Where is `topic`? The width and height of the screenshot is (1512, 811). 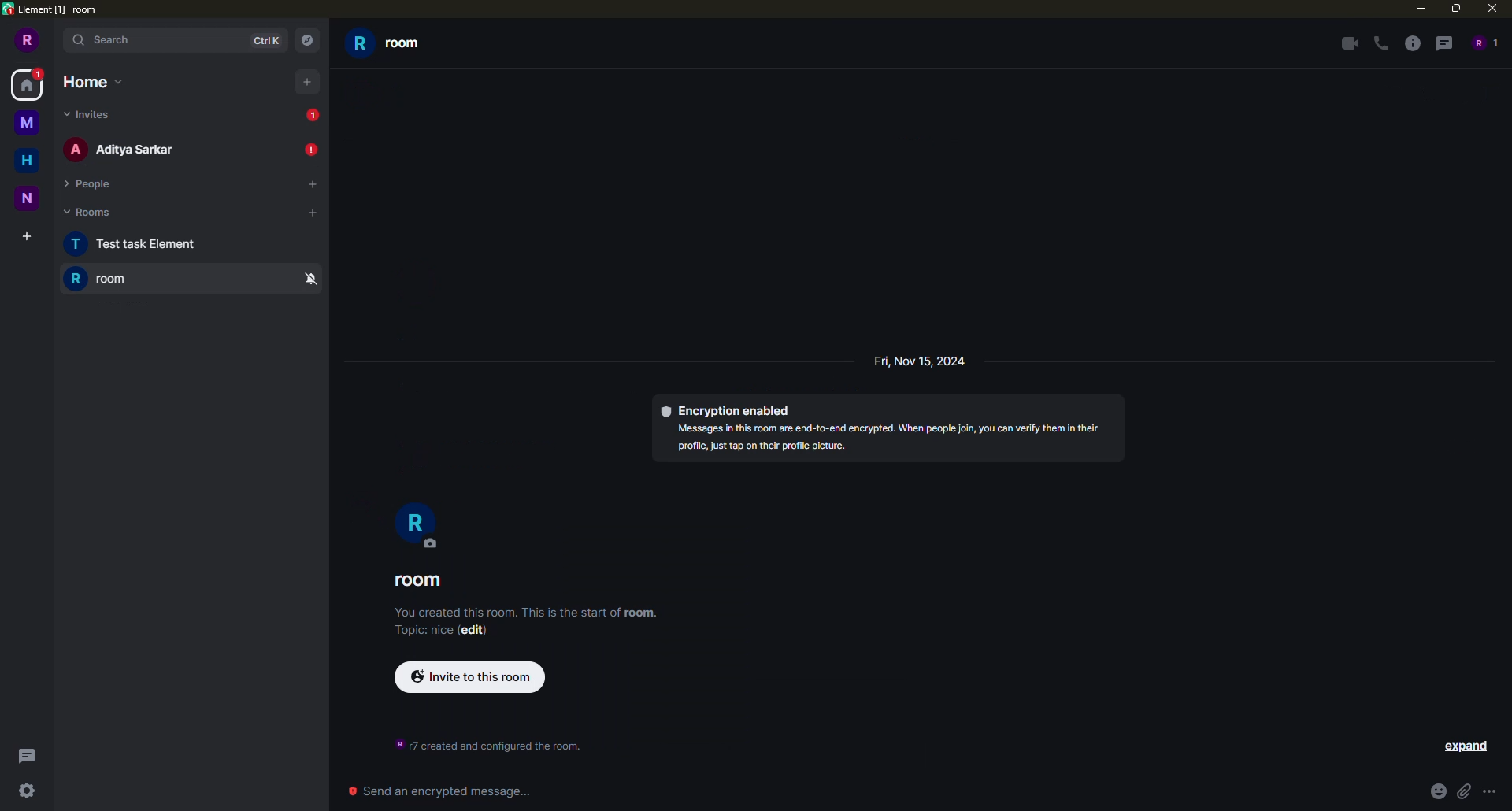
topic is located at coordinates (421, 630).